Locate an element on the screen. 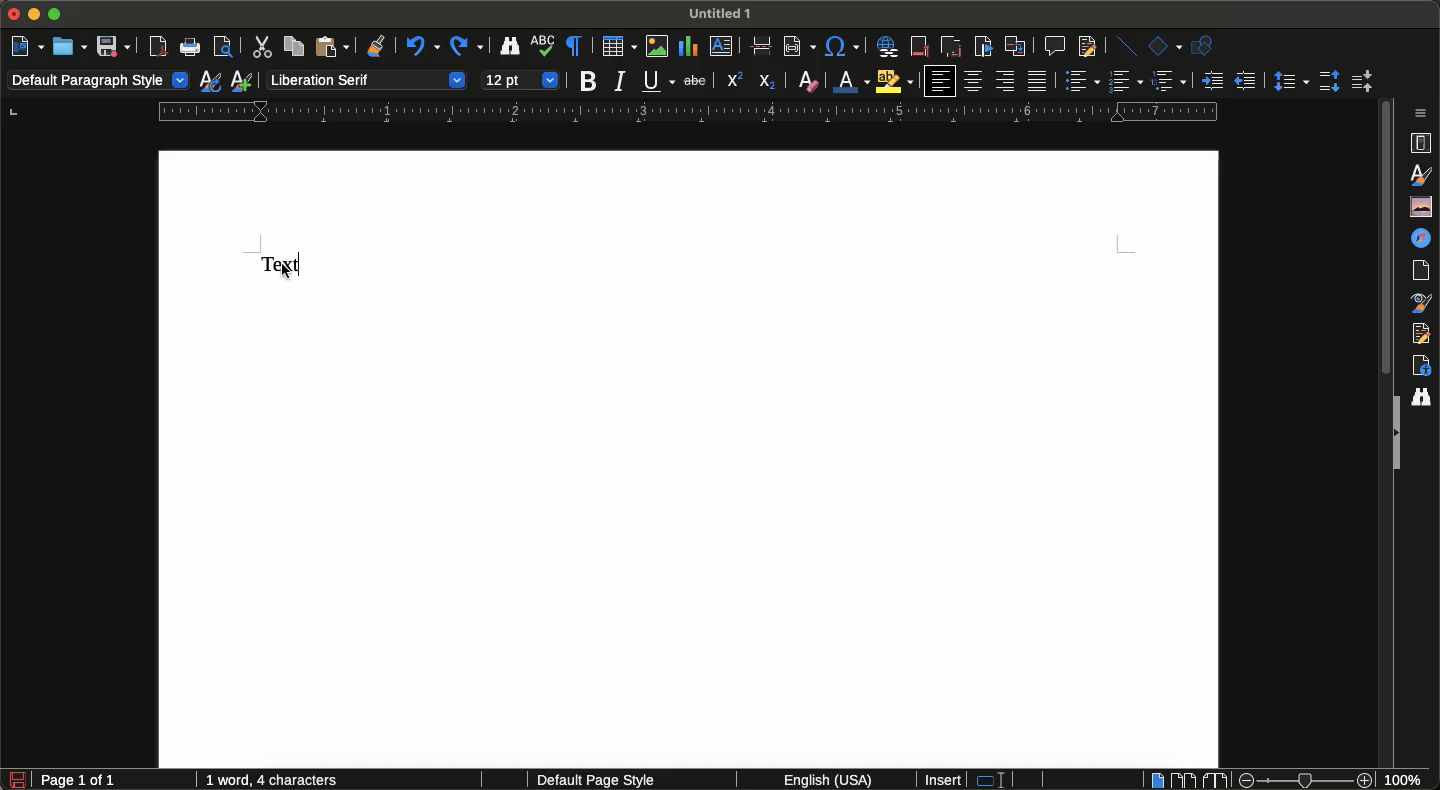  Default page style is located at coordinates (613, 781).